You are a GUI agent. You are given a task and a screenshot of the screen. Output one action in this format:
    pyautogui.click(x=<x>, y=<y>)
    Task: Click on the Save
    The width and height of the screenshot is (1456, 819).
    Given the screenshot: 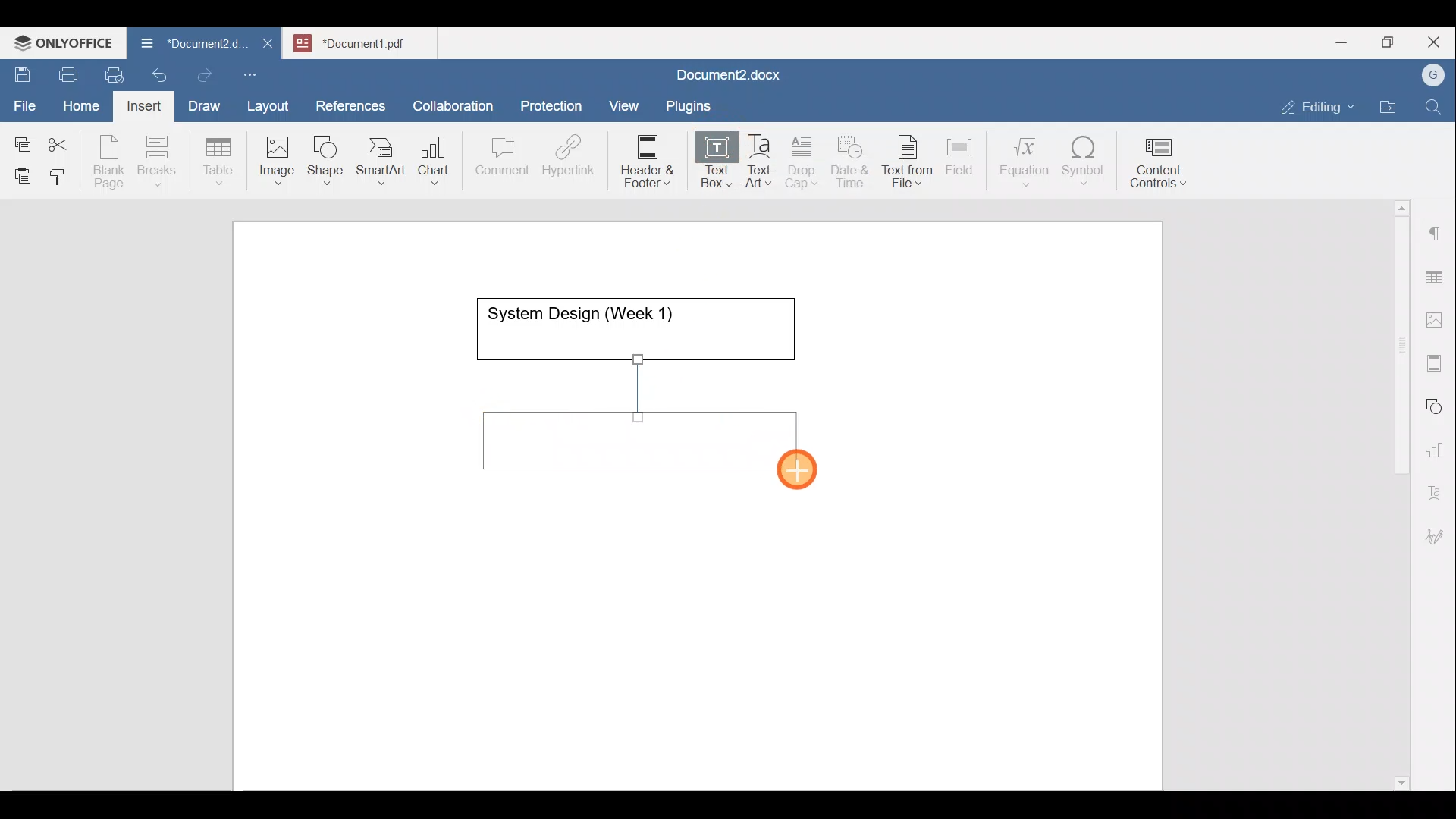 What is the action you would take?
    pyautogui.click(x=21, y=71)
    